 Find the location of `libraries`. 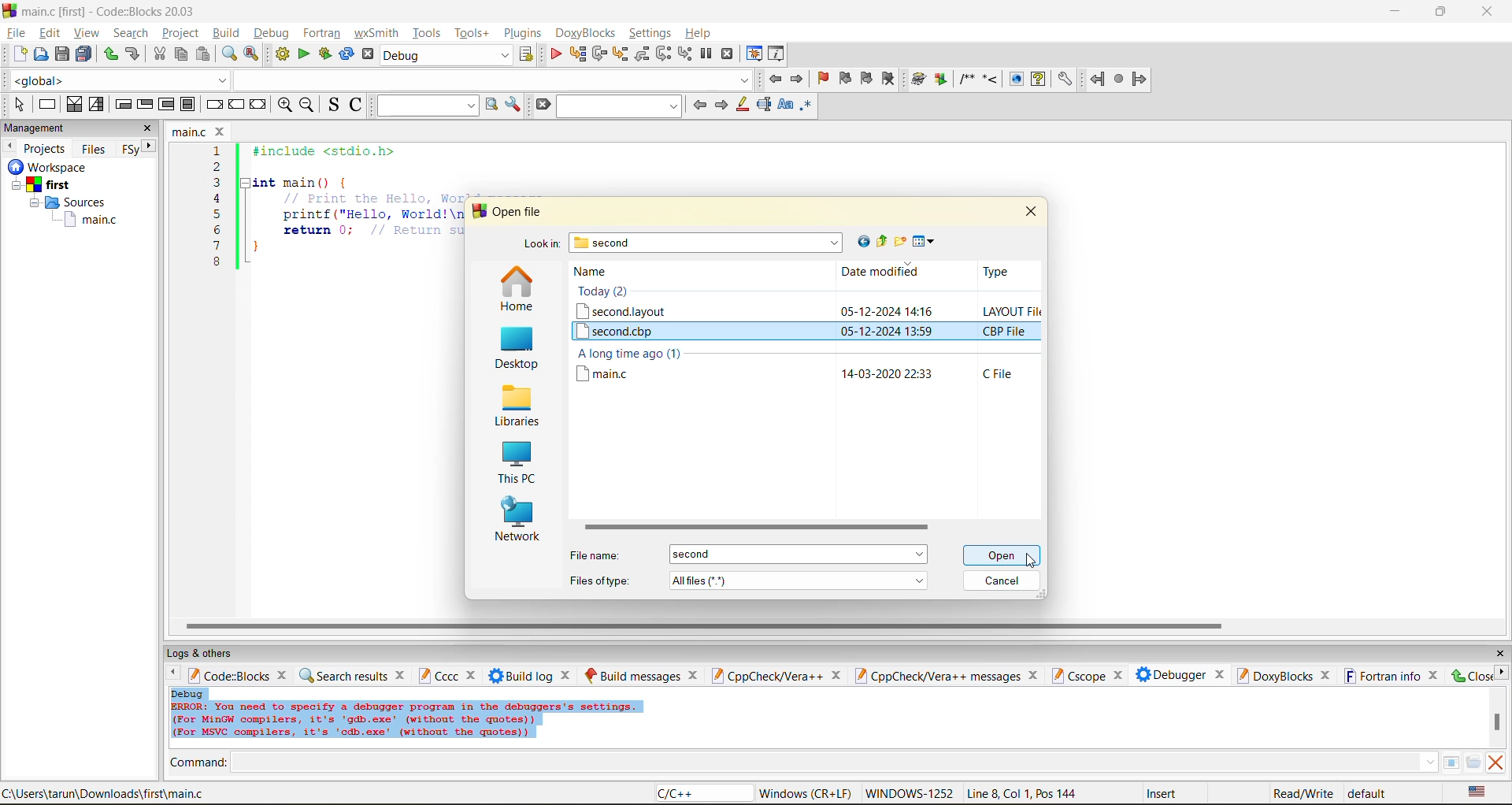

libraries is located at coordinates (515, 406).